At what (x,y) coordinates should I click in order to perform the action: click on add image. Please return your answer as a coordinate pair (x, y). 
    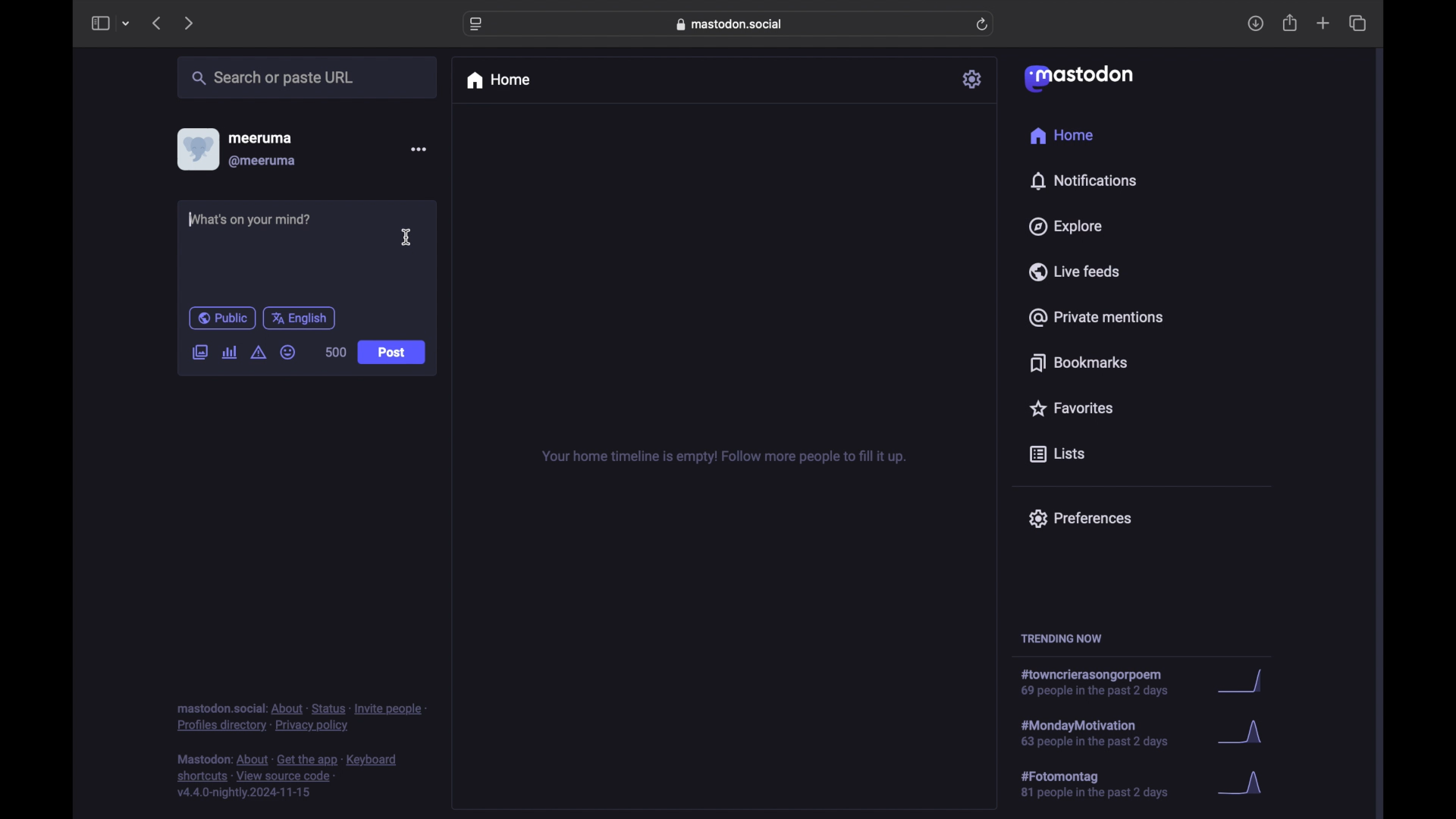
    Looking at the image, I should click on (199, 353).